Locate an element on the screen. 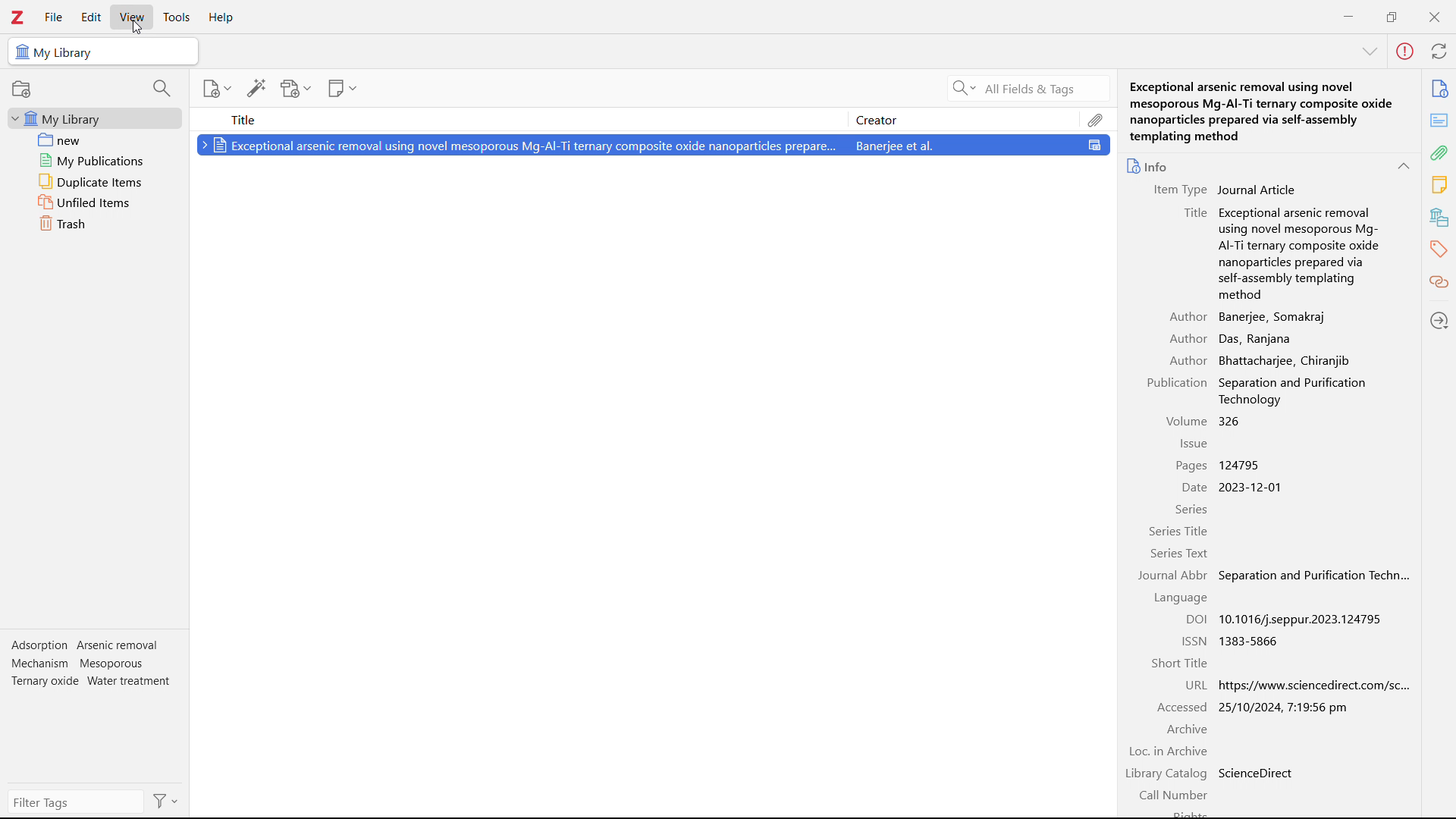 The height and width of the screenshot is (819, 1456). Exceptional arsenic removal using novel mesoporous Mg-Al-Ti ternary composite oxide nanoparticles prepare... is located at coordinates (520, 145).